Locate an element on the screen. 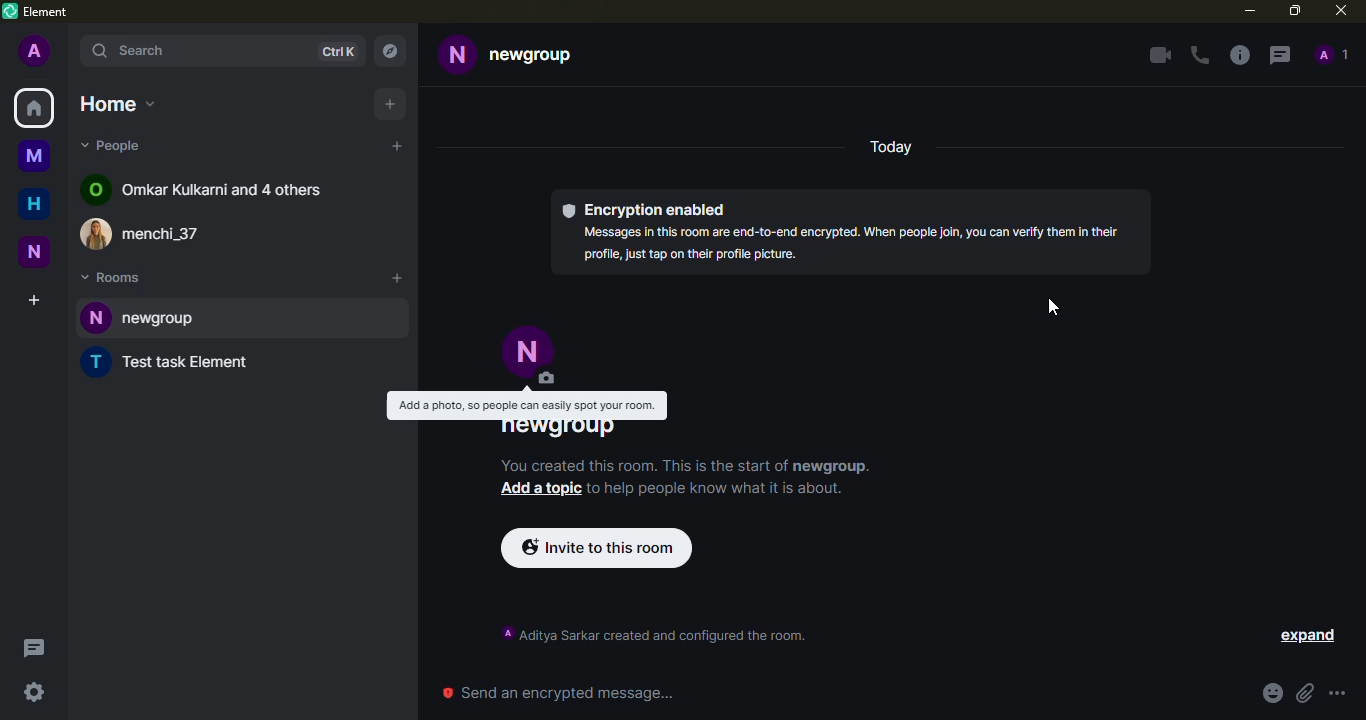 The image size is (1366, 720). profile pic is located at coordinates (530, 356).